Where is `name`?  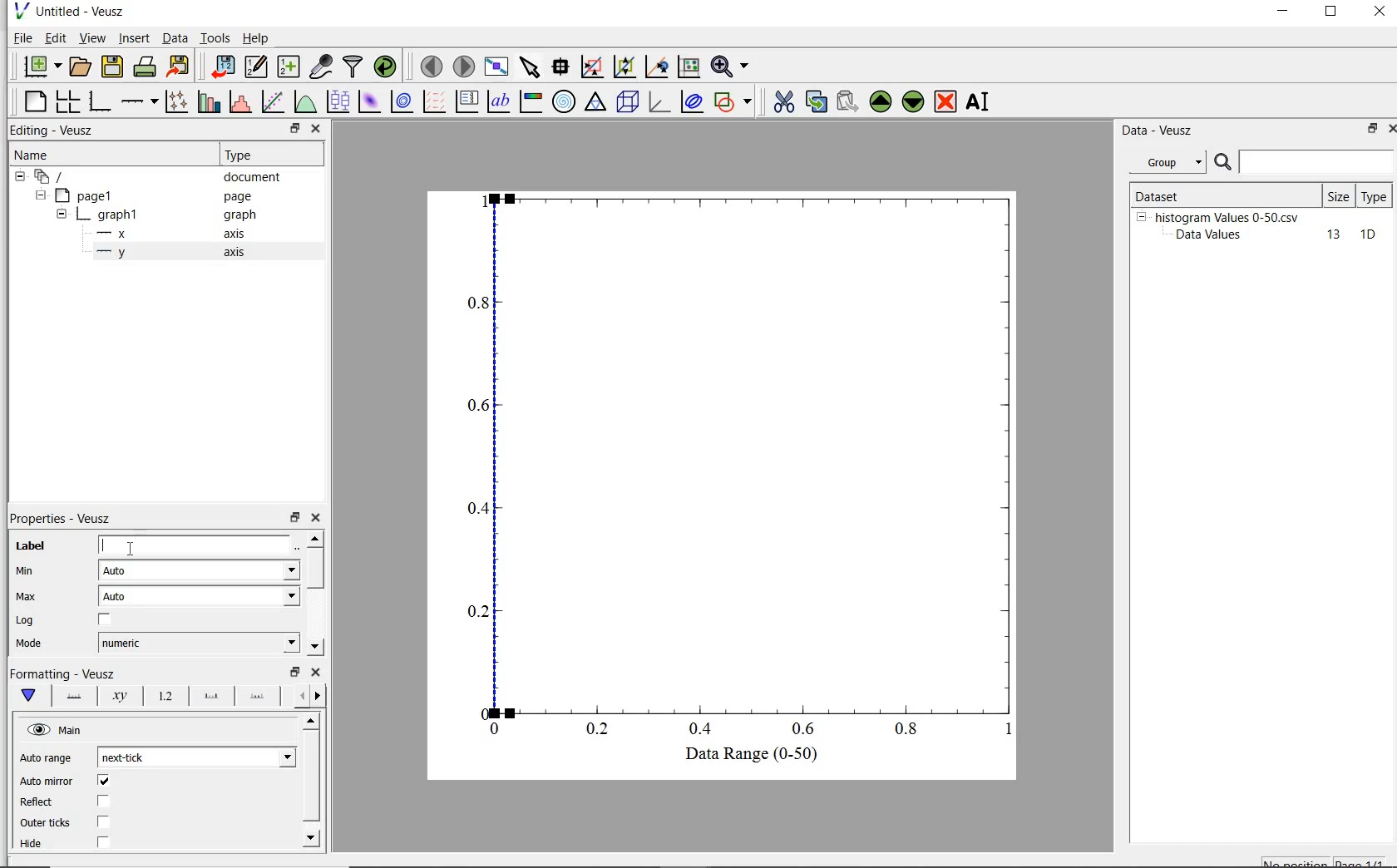
name is located at coordinates (30, 155).